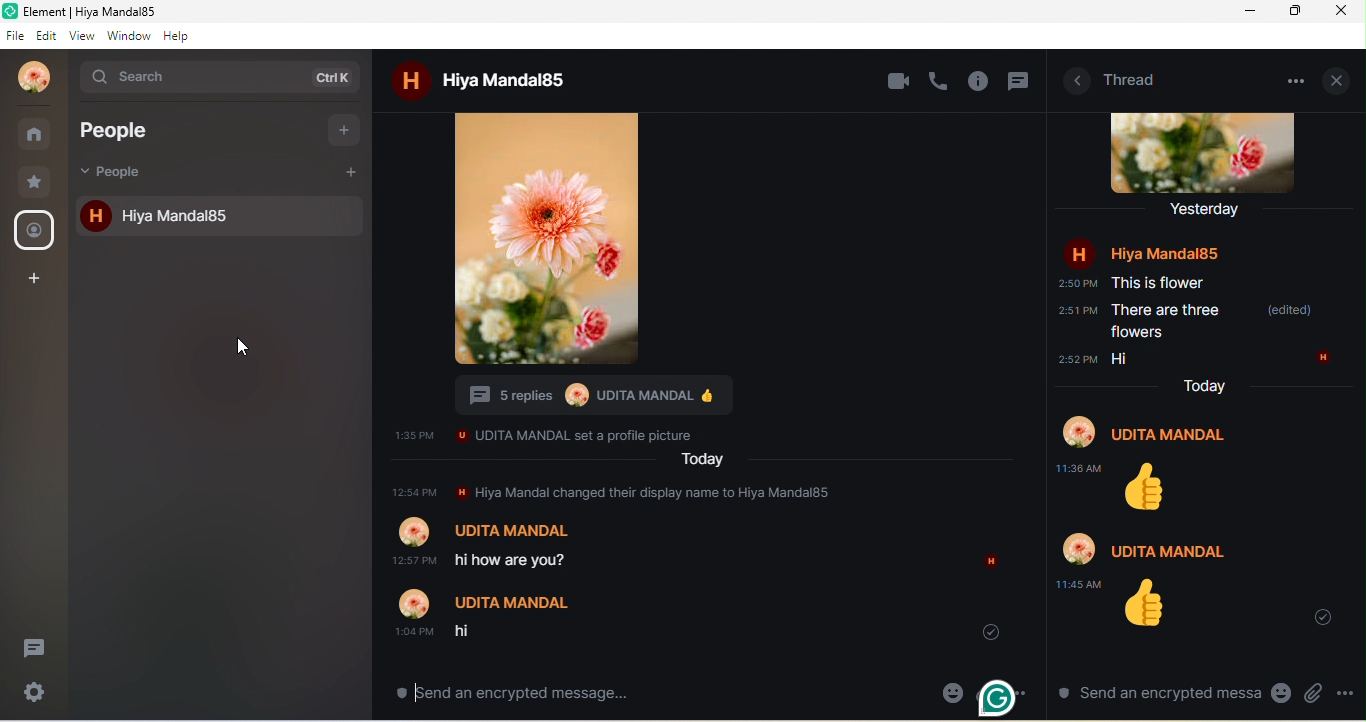  What do you see at coordinates (899, 81) in the screenshot?
I see `video call` at bounding box center [899, 81].